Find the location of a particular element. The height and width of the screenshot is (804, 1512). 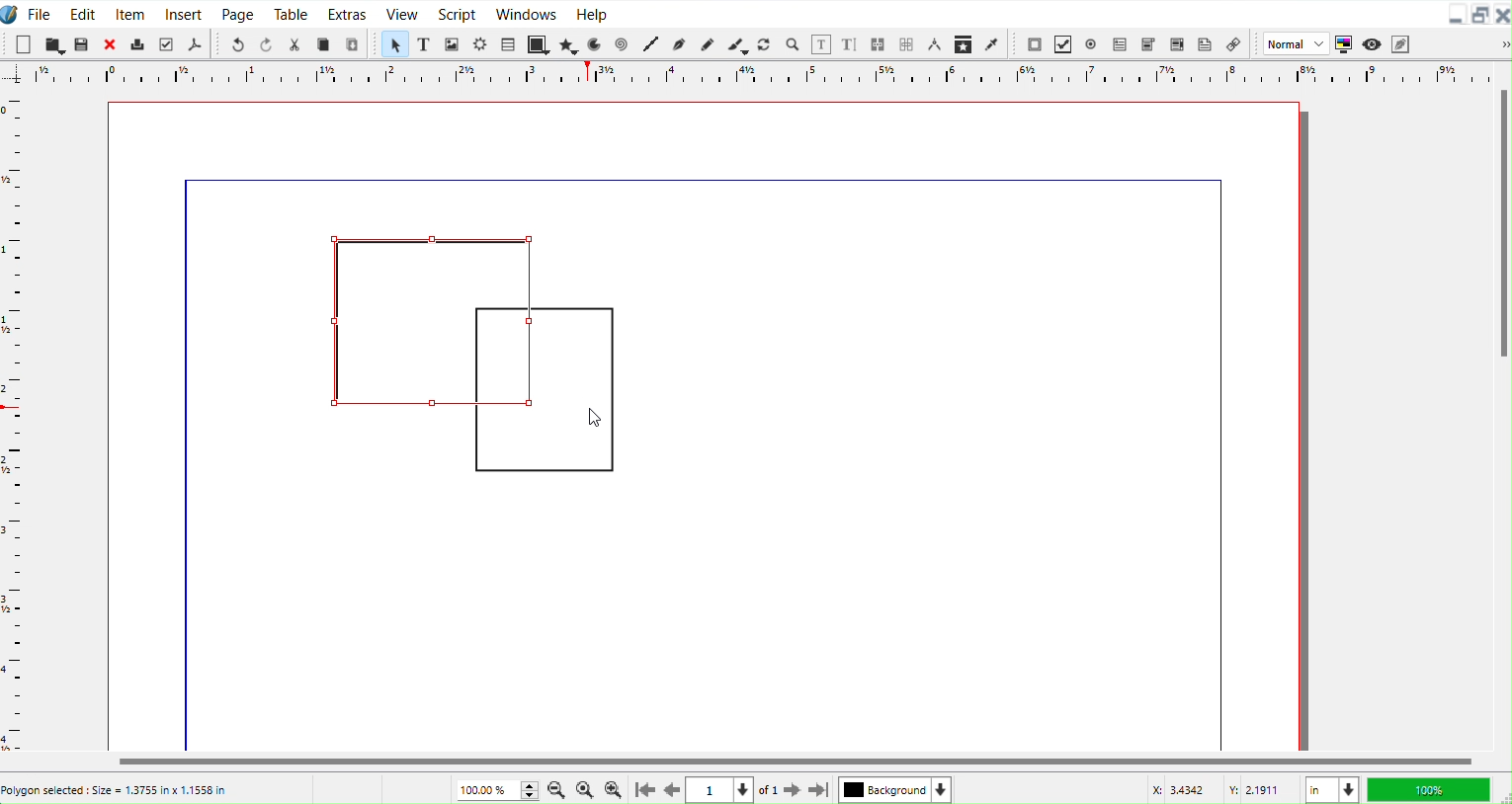

Normal is located at coordinates (1294, 43).